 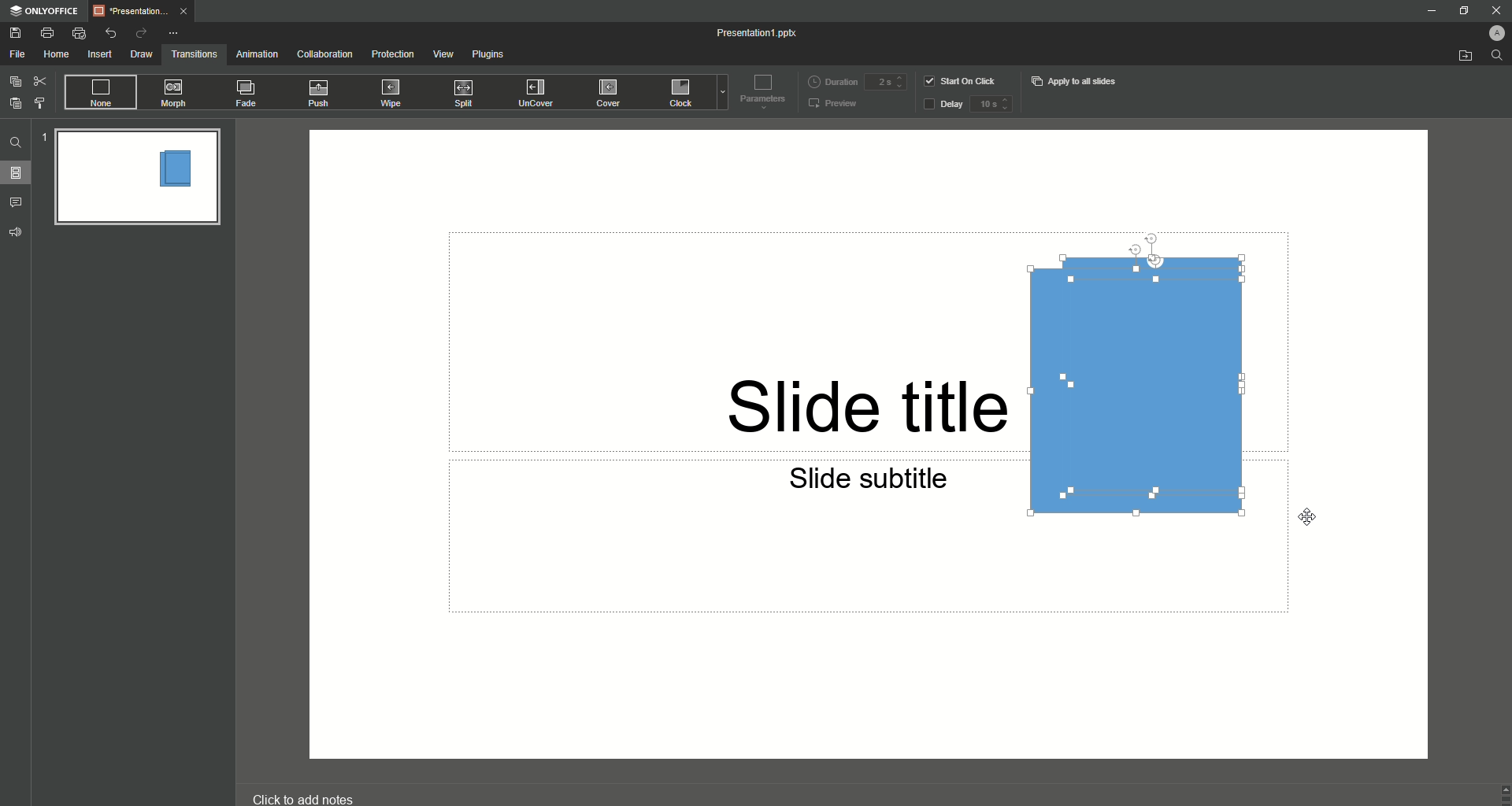 What do you see at coordinates (176, 33) in the screenshot?
I see `More Options` at bounding box center [176, 33].